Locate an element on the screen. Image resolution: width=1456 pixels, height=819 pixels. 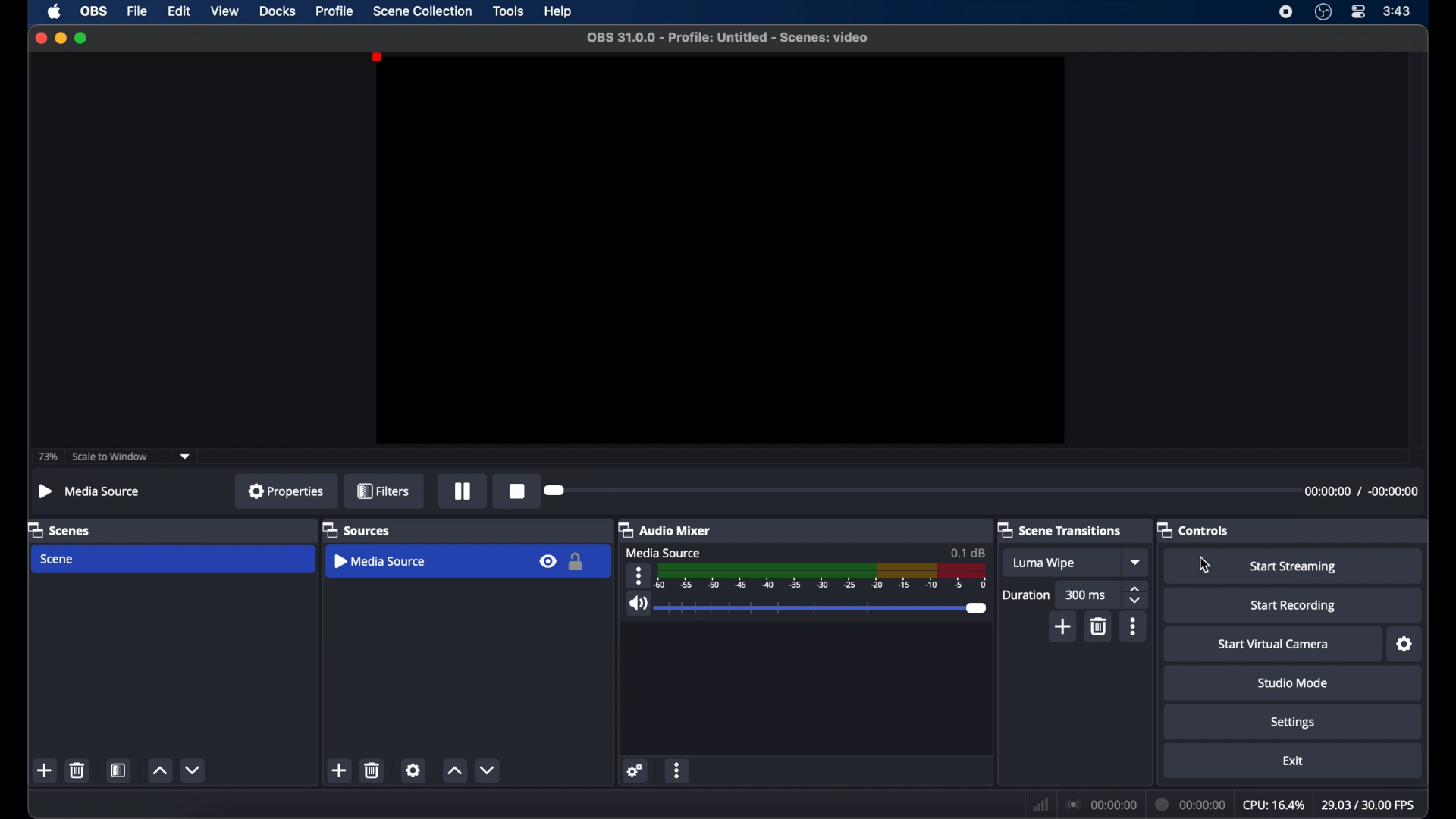
start recording is located at coordinates (1293, 606).